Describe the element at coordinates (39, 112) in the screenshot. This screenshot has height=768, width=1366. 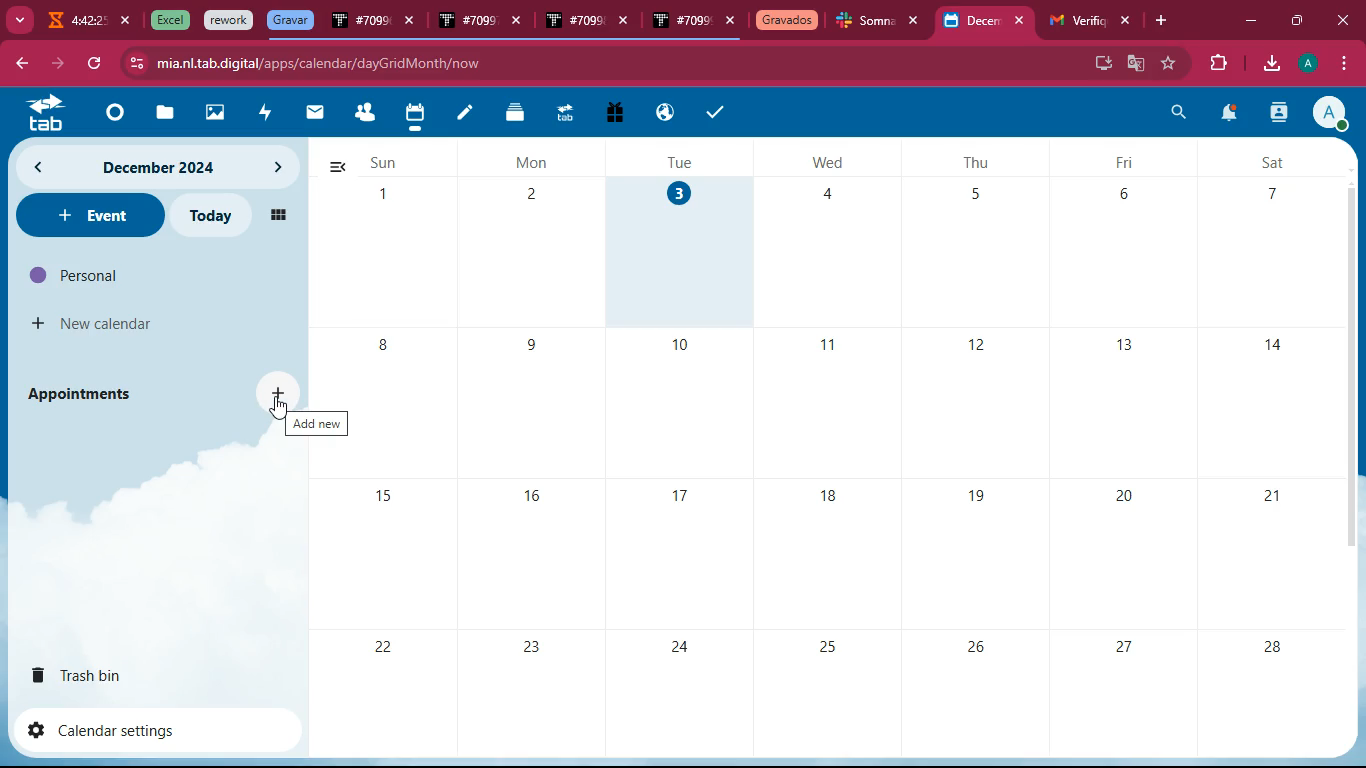
I see `tab` at that location.